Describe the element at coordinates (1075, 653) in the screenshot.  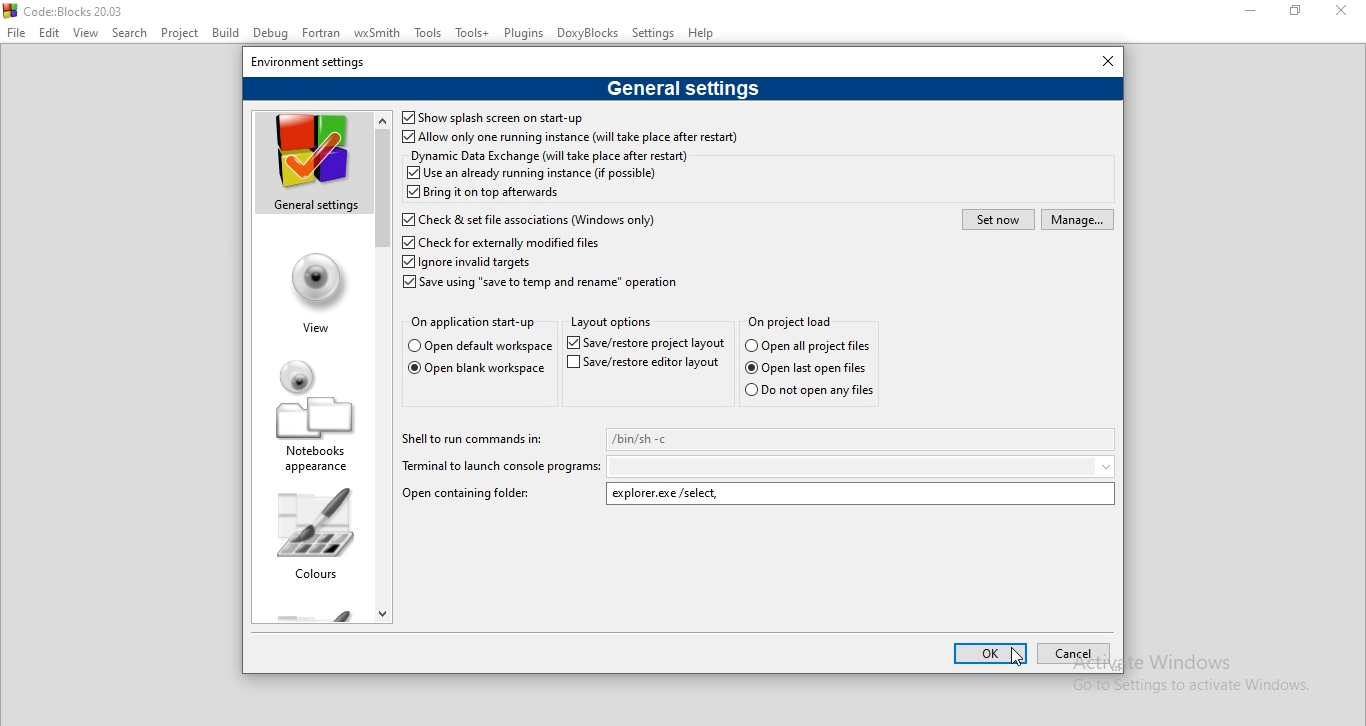
I see `cancel` at that location.